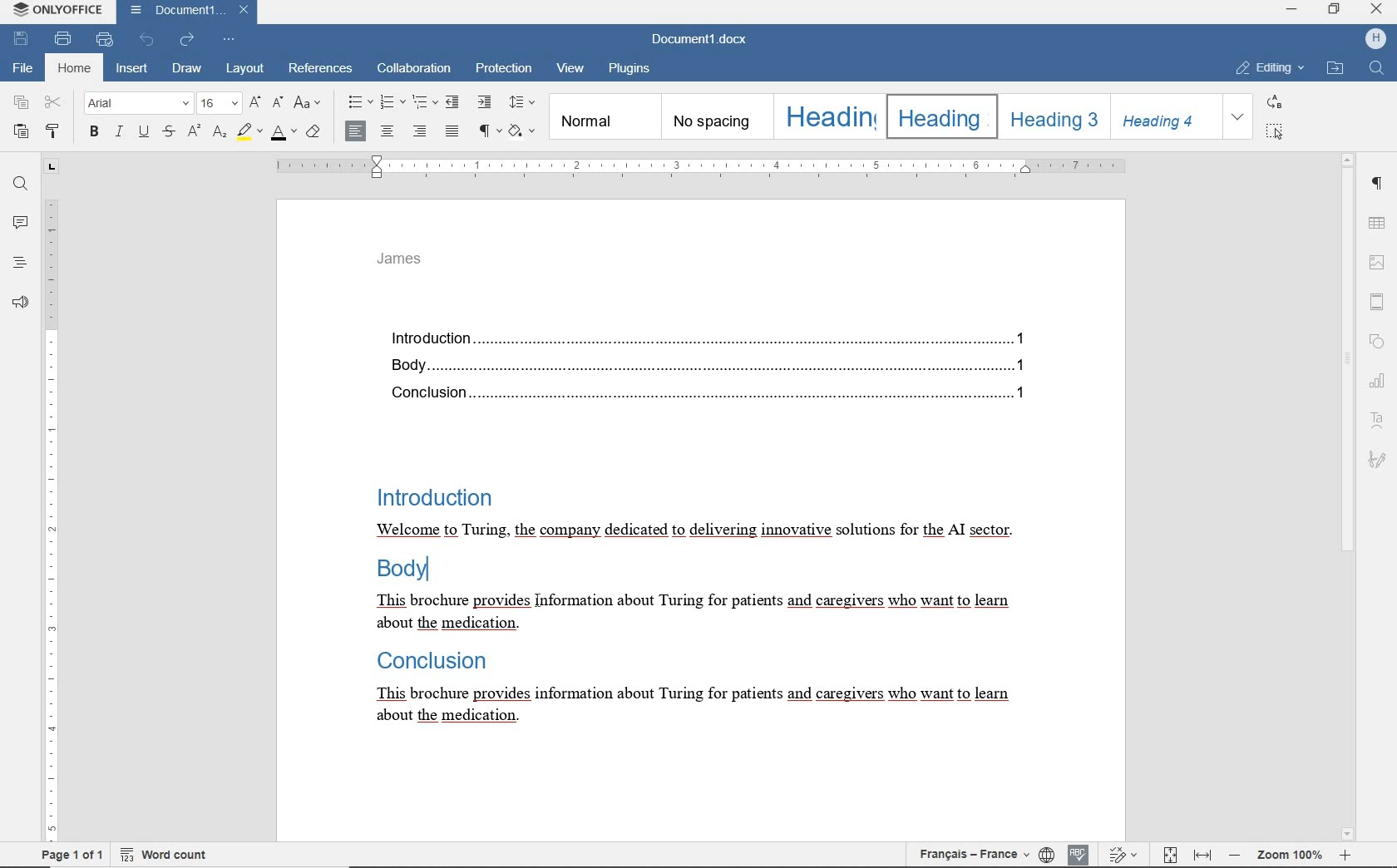  I want to click on This brochure provides information about Turing for patients and caregivers who want to learn
about the medication., so click(689, 706).